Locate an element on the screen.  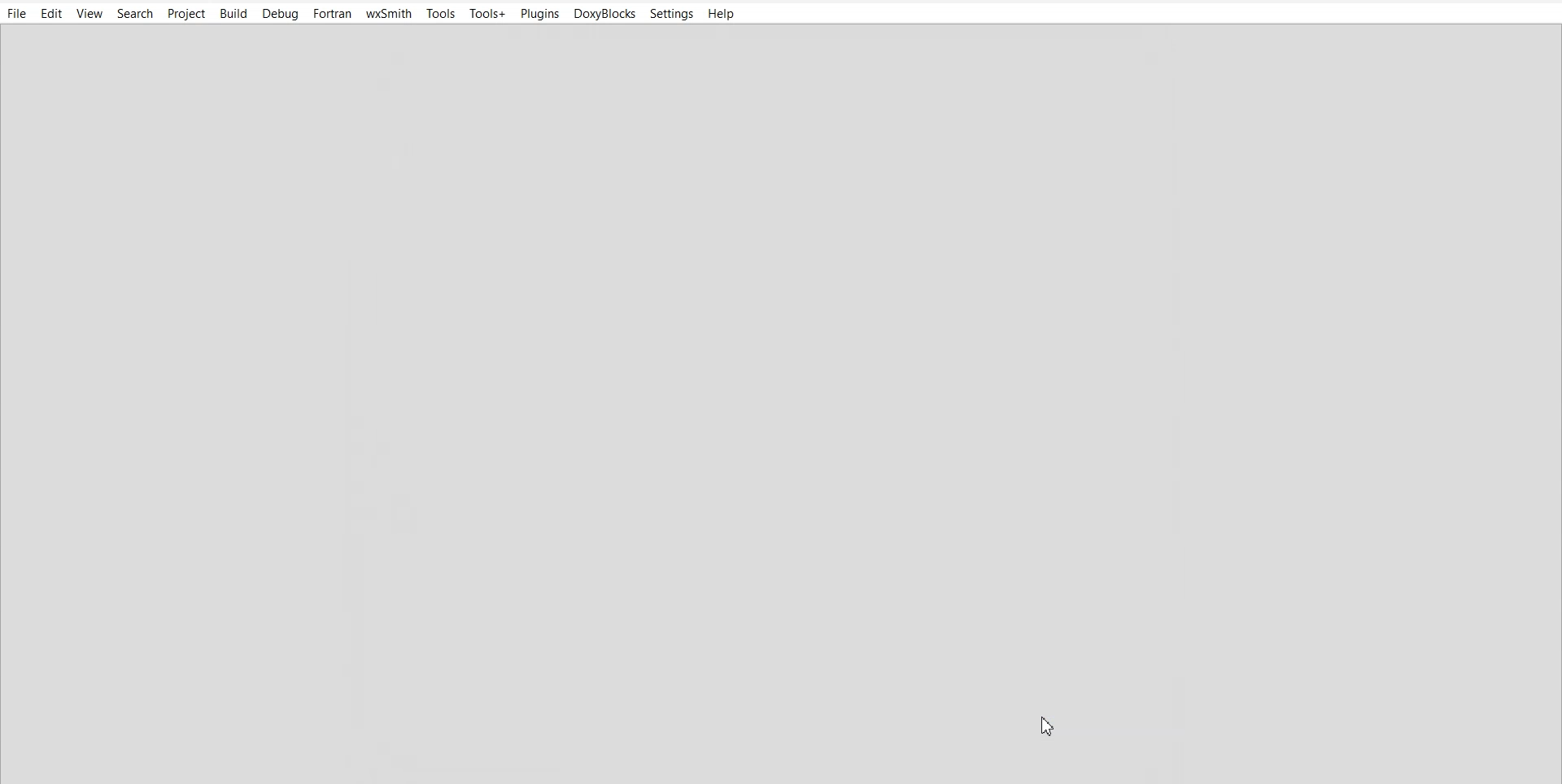
View is located at coordinates (89, 14).